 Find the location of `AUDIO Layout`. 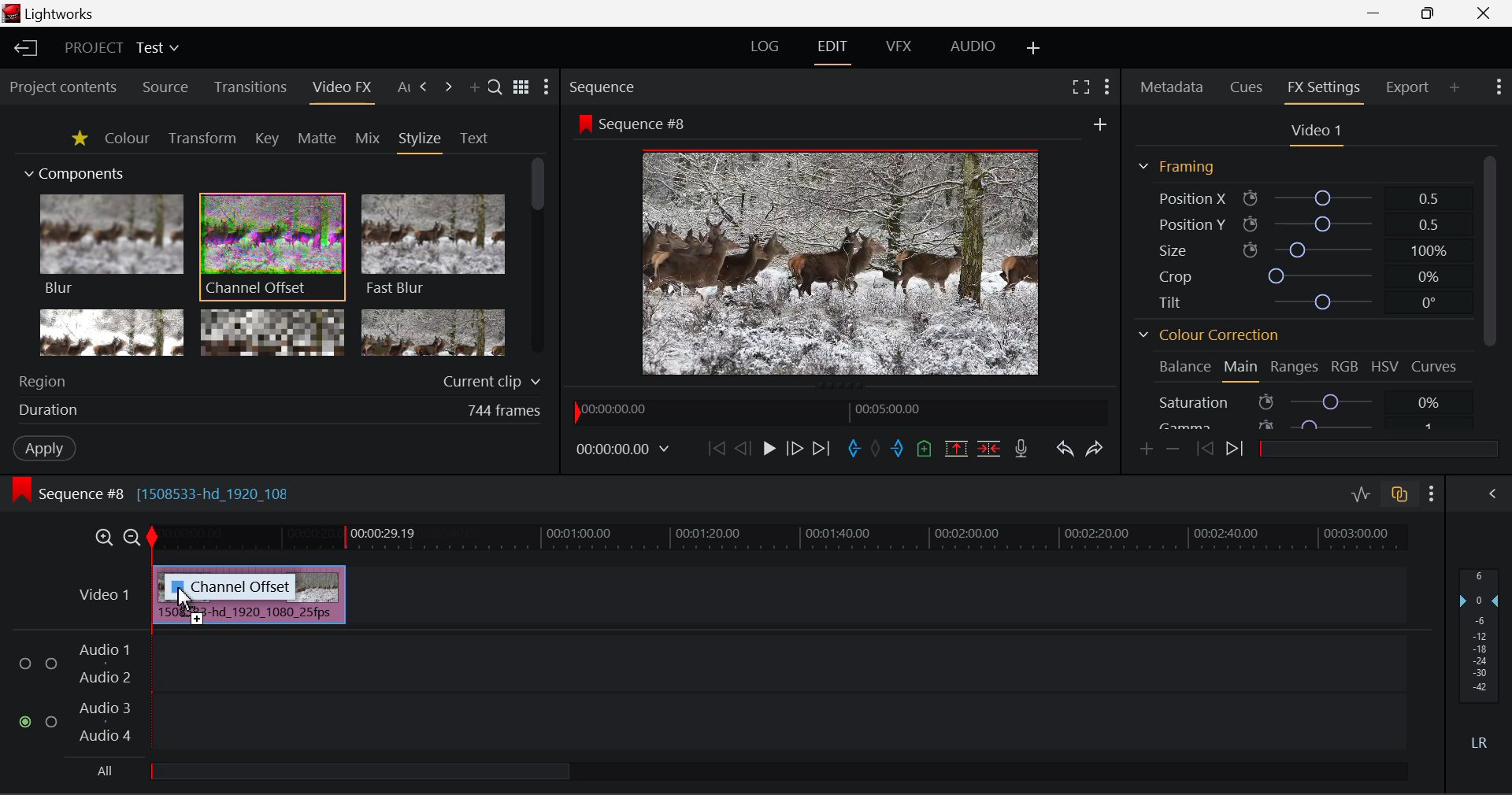

AUDIO Layout is located at coordinates (975, 50).